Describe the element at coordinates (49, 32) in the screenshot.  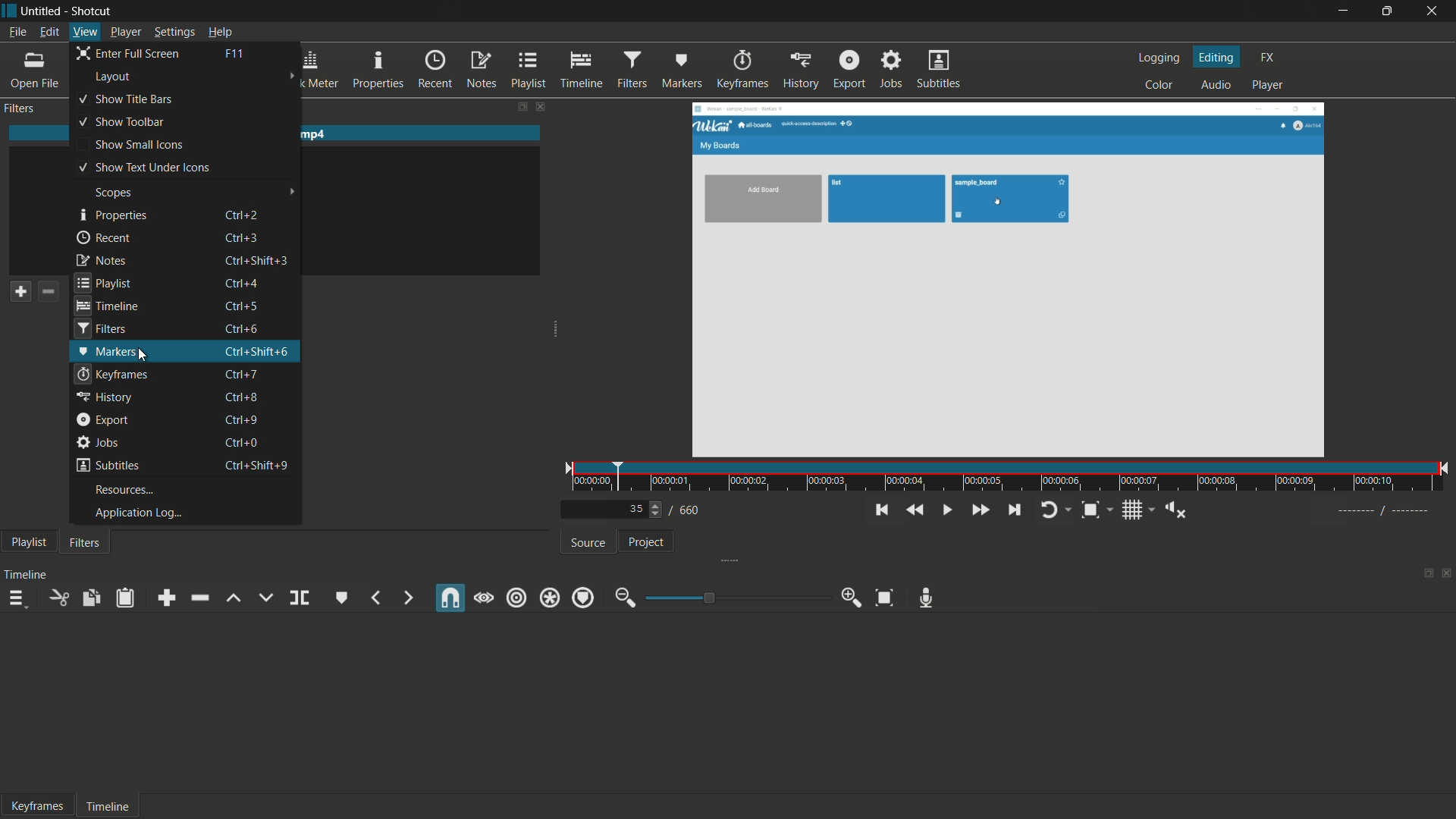
I see `edit menu` at that location.